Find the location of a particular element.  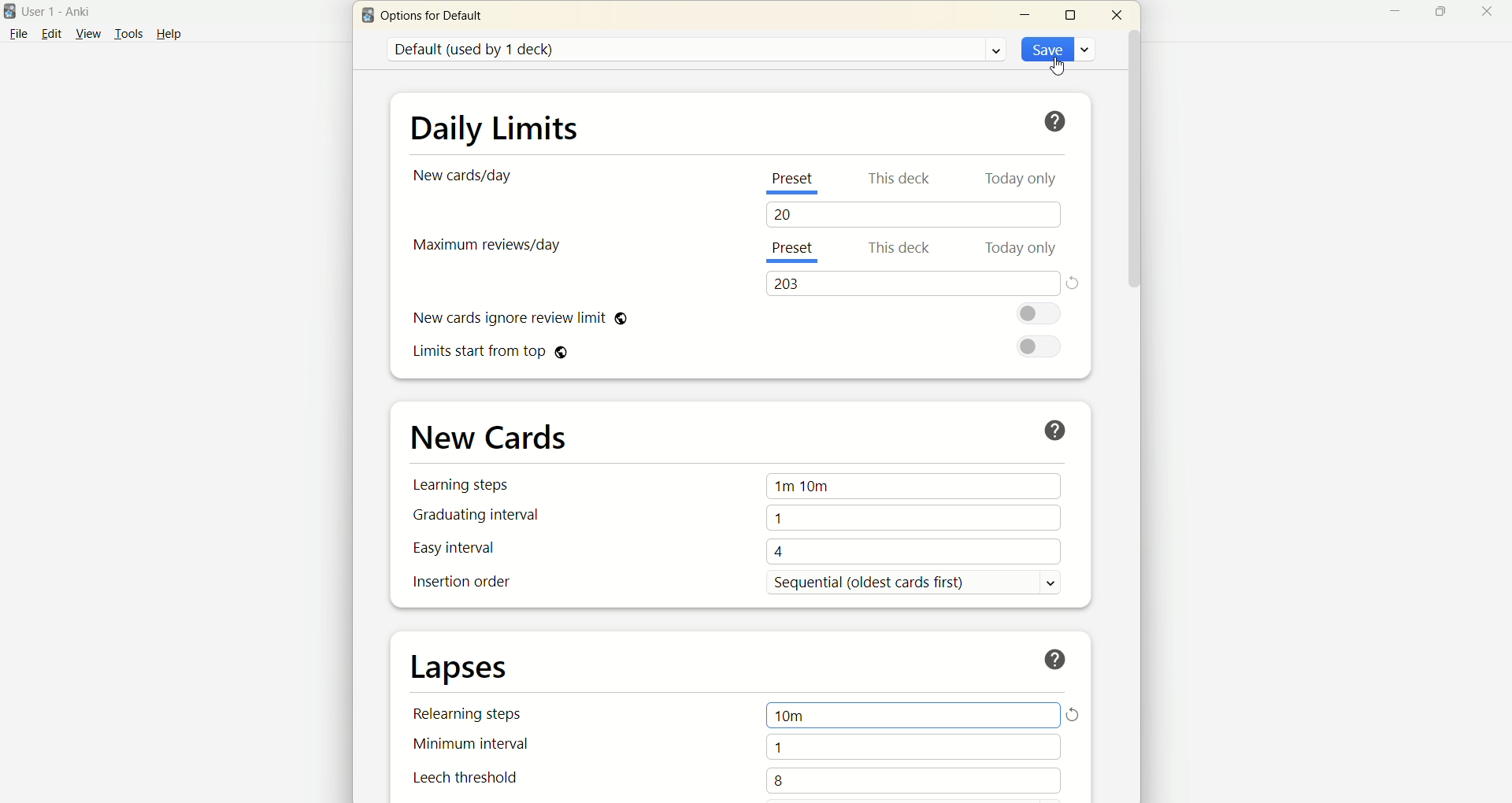

maximize is located at coordinates (1072, 14).